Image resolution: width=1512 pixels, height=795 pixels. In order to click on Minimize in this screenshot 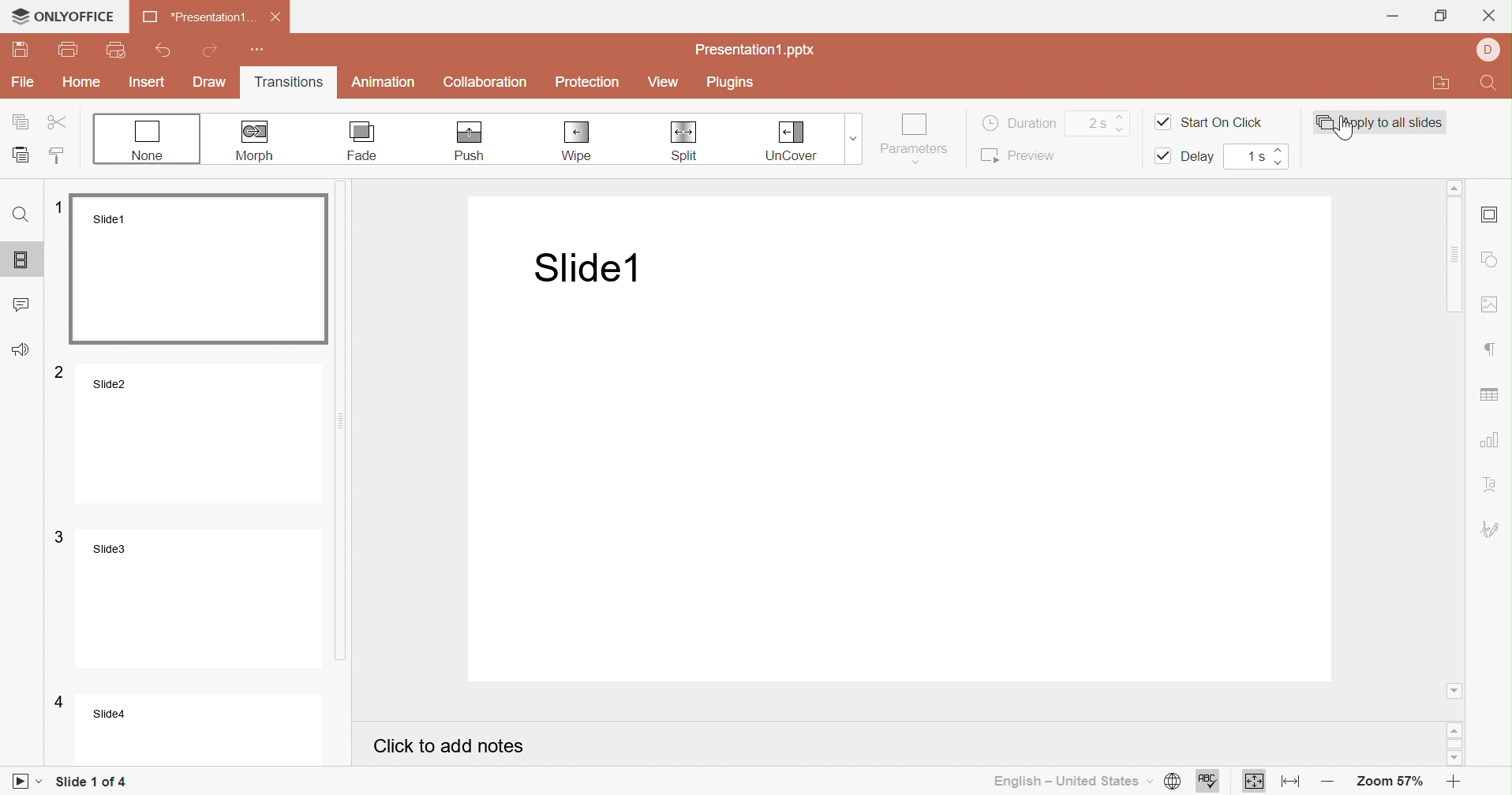, I will do `click(1393, 17)`.